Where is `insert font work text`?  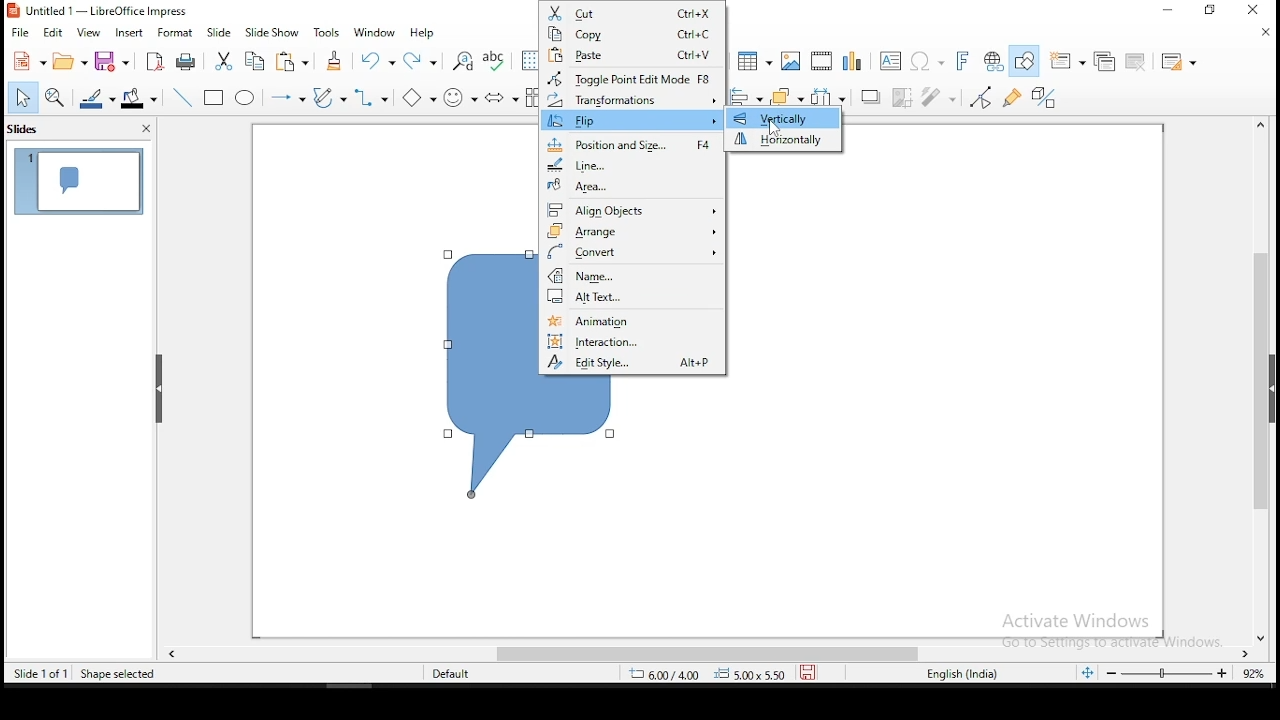 insert font work text is located at coordinates (963, 60).